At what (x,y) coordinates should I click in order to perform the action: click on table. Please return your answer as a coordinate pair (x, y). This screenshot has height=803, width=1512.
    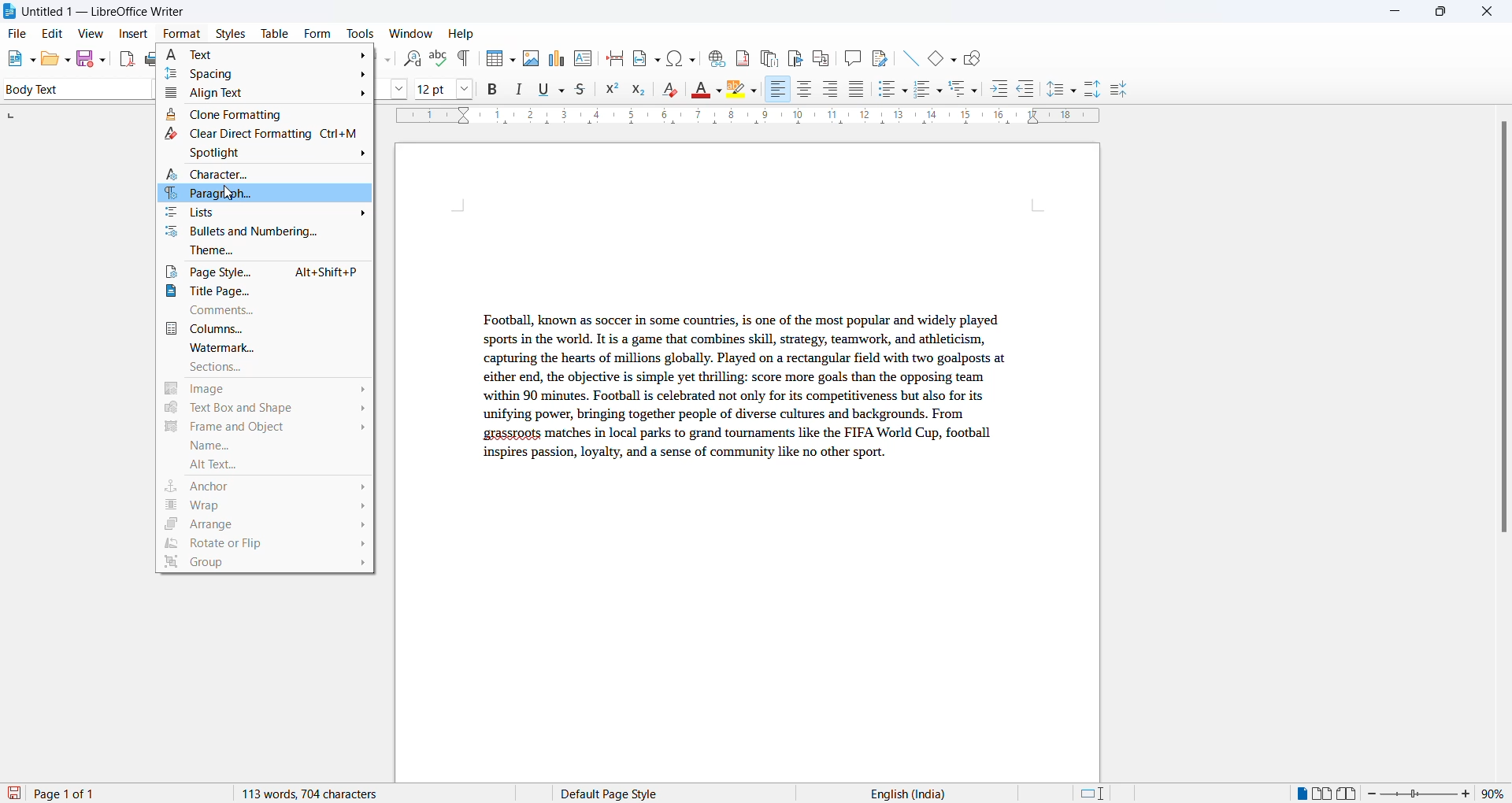
    Looking at the image, I should click on (275, 33).